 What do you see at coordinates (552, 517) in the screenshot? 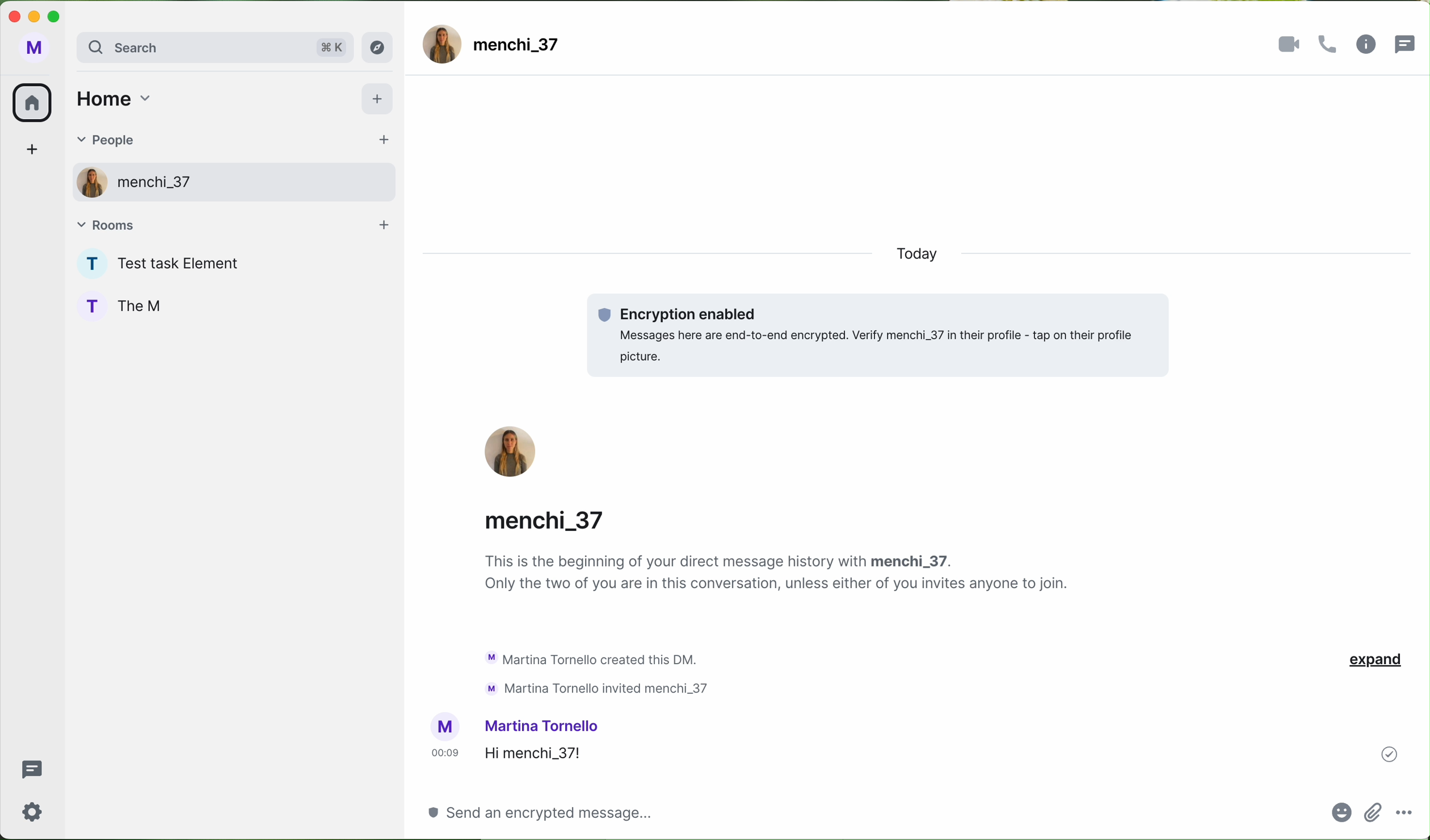
I see `username` at bounding box center [552, 517].